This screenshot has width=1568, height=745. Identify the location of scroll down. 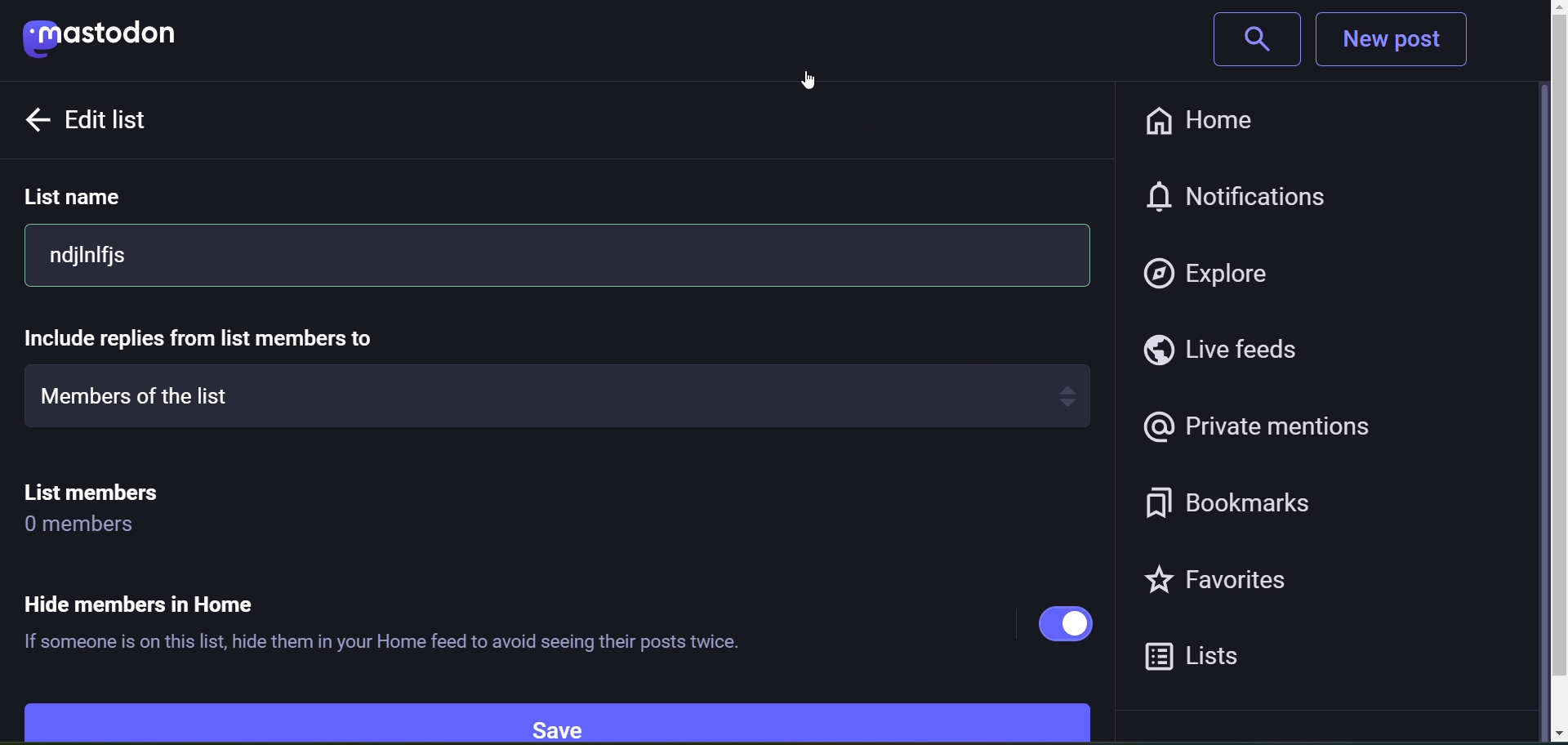
(1540, 734).